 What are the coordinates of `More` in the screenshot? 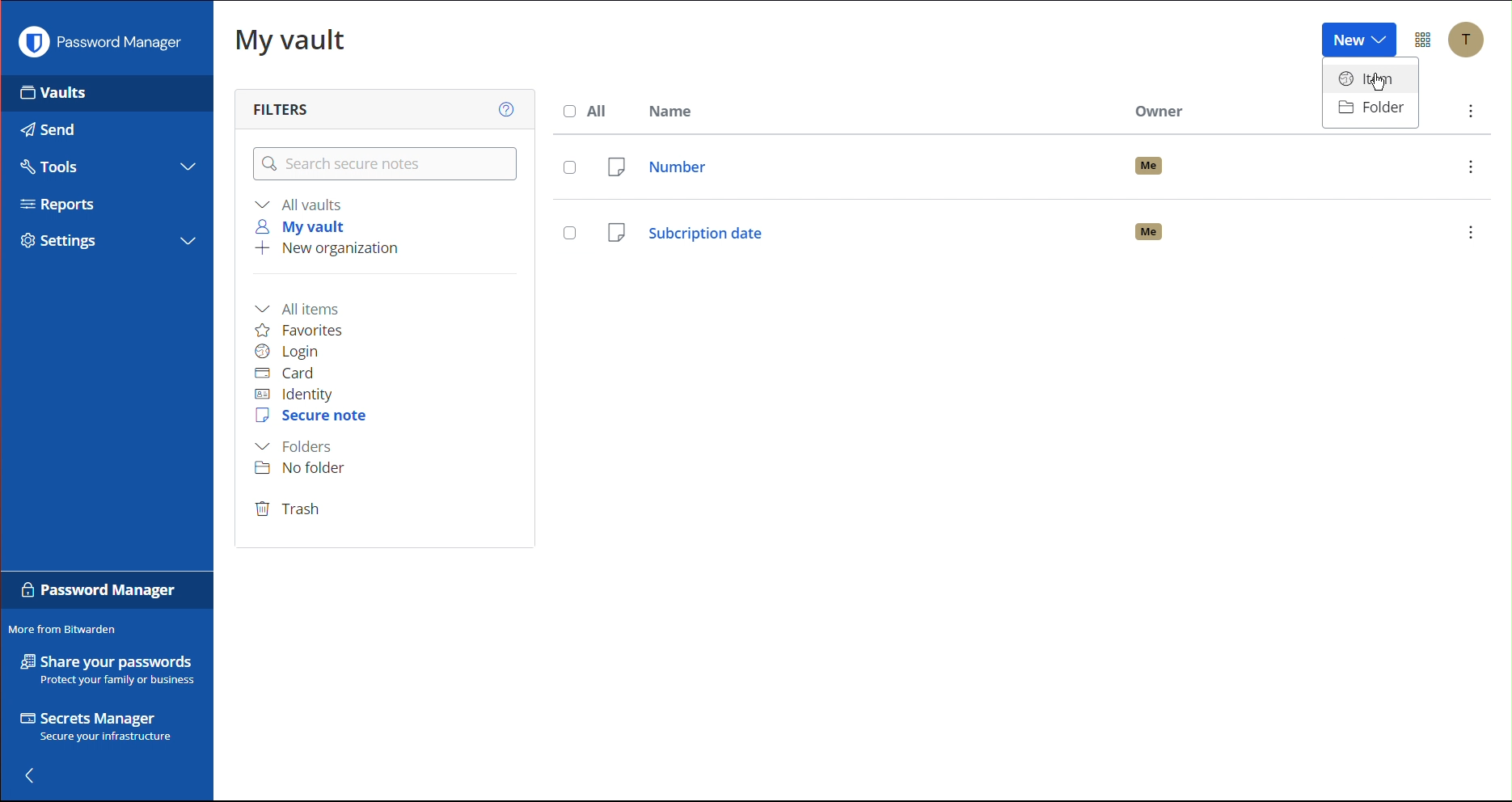 It's located at (1469, 112).